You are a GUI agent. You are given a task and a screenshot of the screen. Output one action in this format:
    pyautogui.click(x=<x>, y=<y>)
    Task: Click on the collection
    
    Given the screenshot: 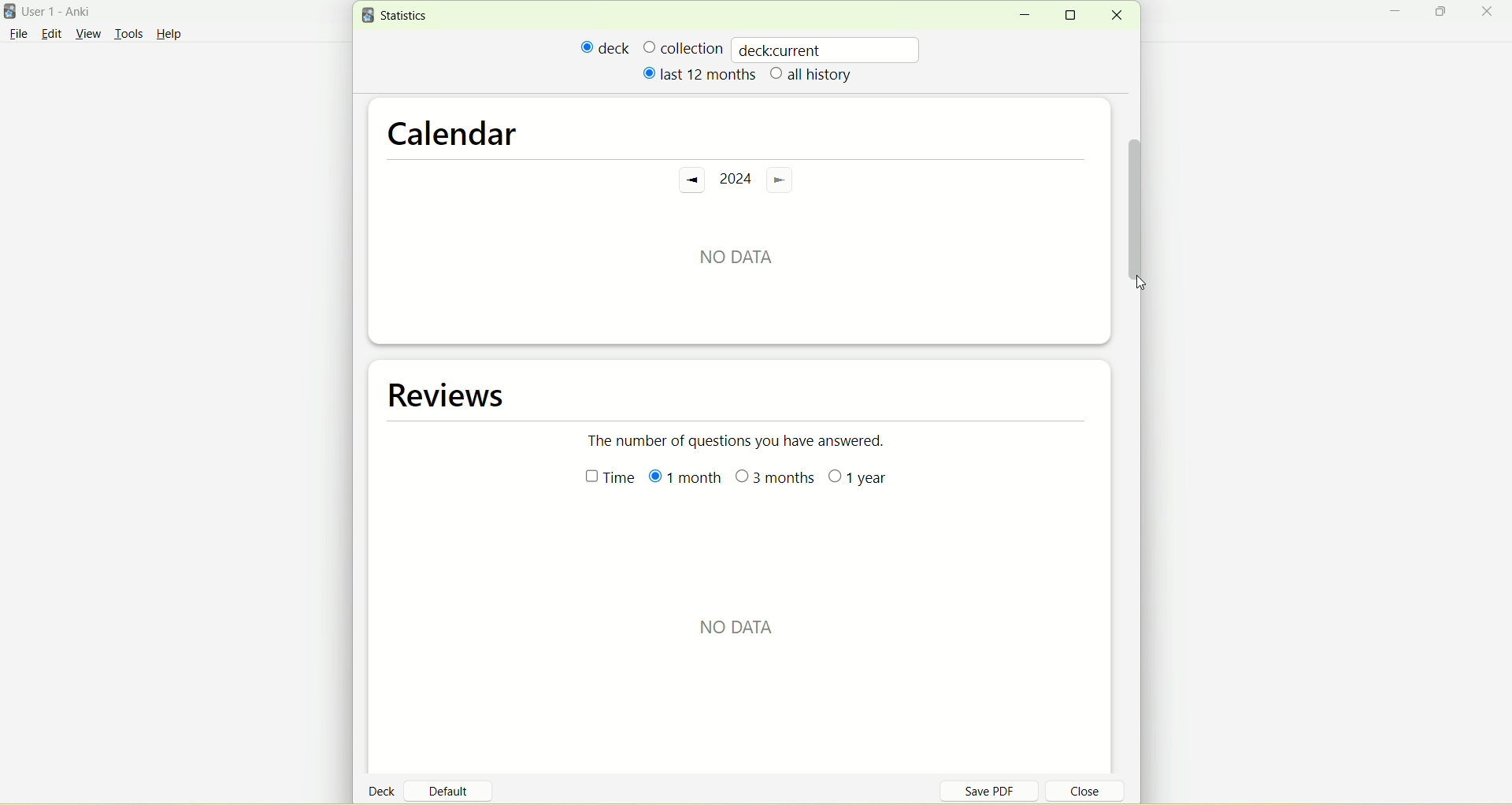 What is the action you would take?
    pyautogui.click(x=683, y=47)
    